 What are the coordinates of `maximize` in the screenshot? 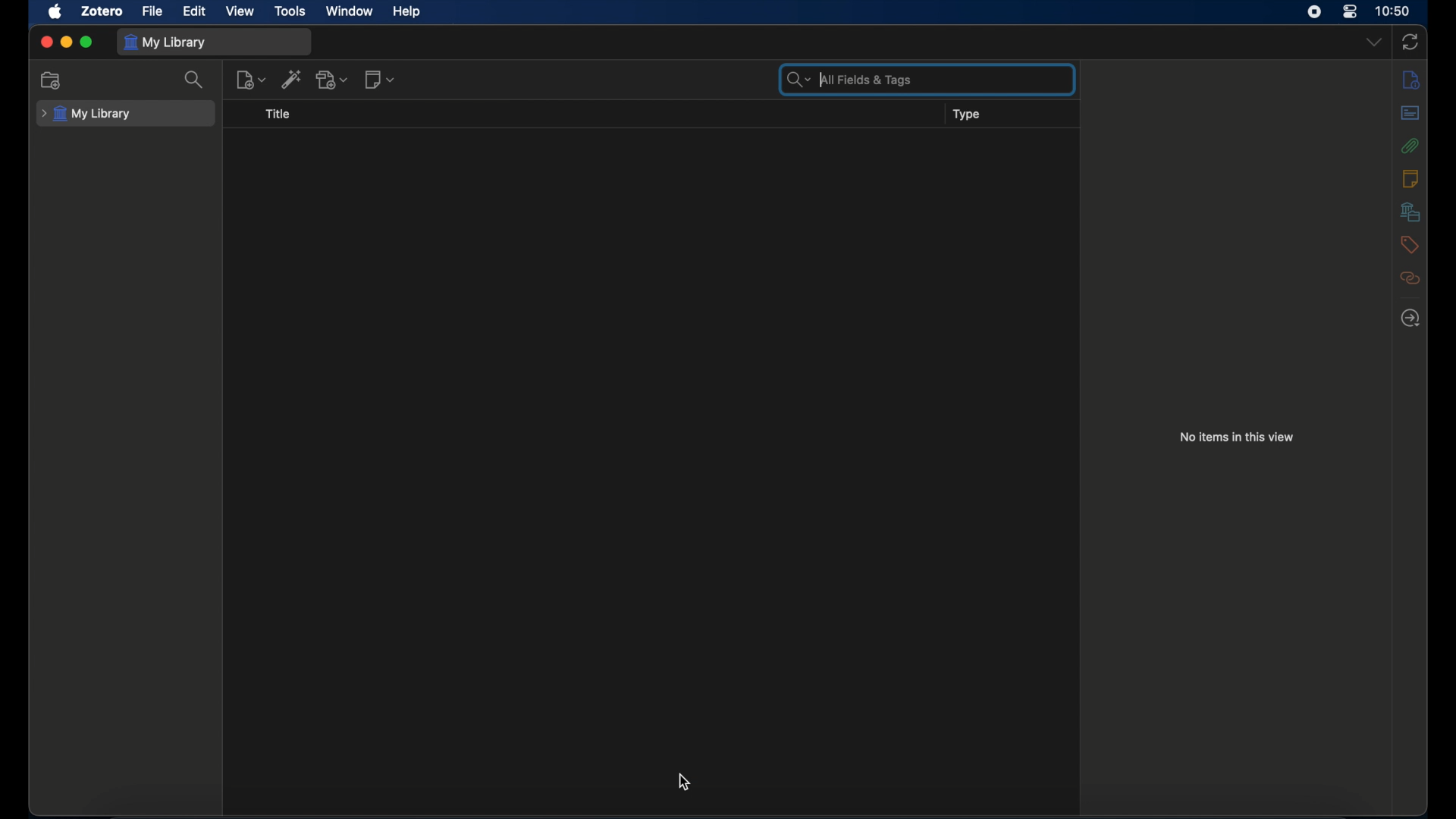 It's located at (86, 42).